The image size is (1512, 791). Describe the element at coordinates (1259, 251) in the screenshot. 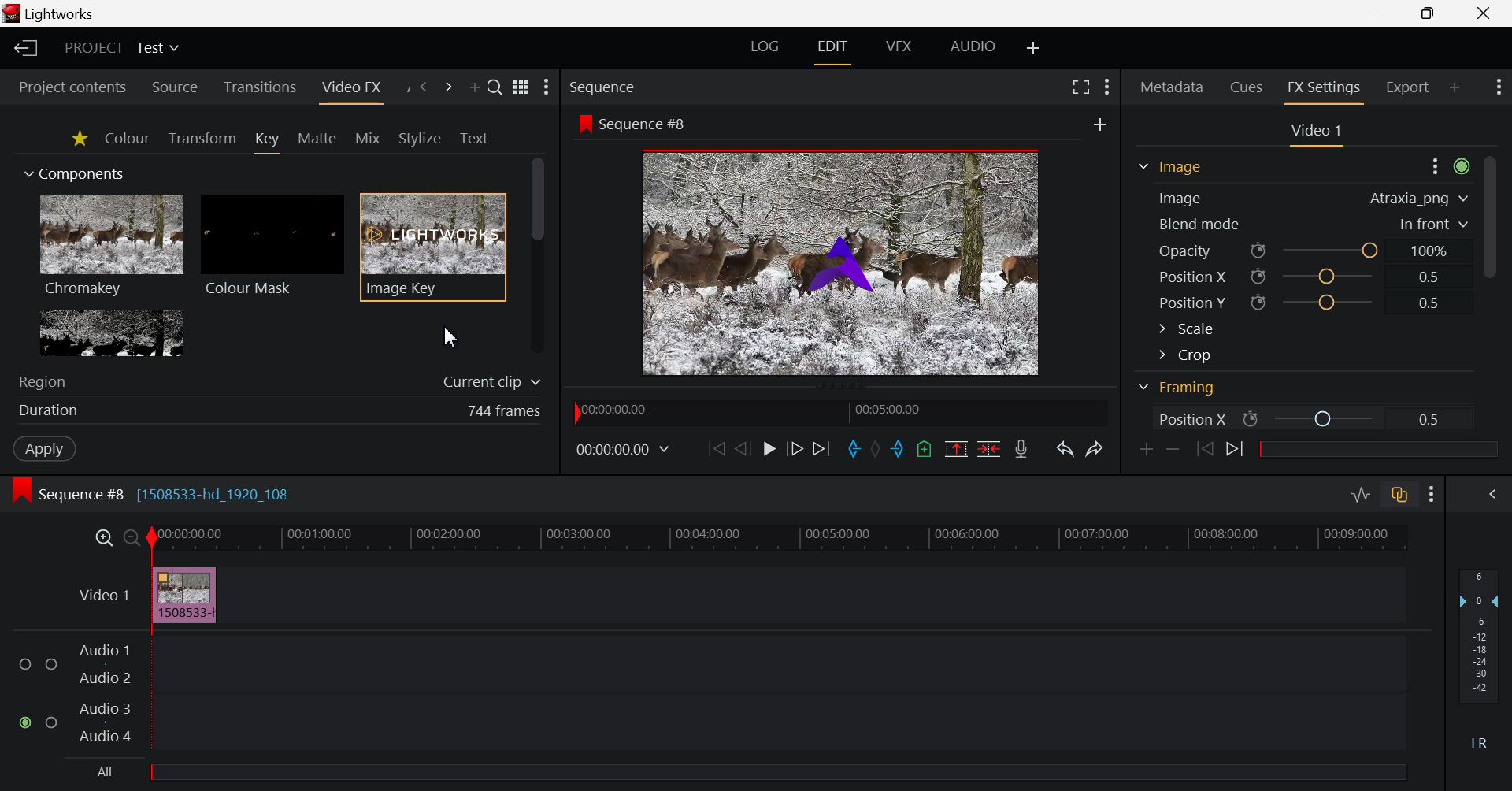

I see `icon` at that location.